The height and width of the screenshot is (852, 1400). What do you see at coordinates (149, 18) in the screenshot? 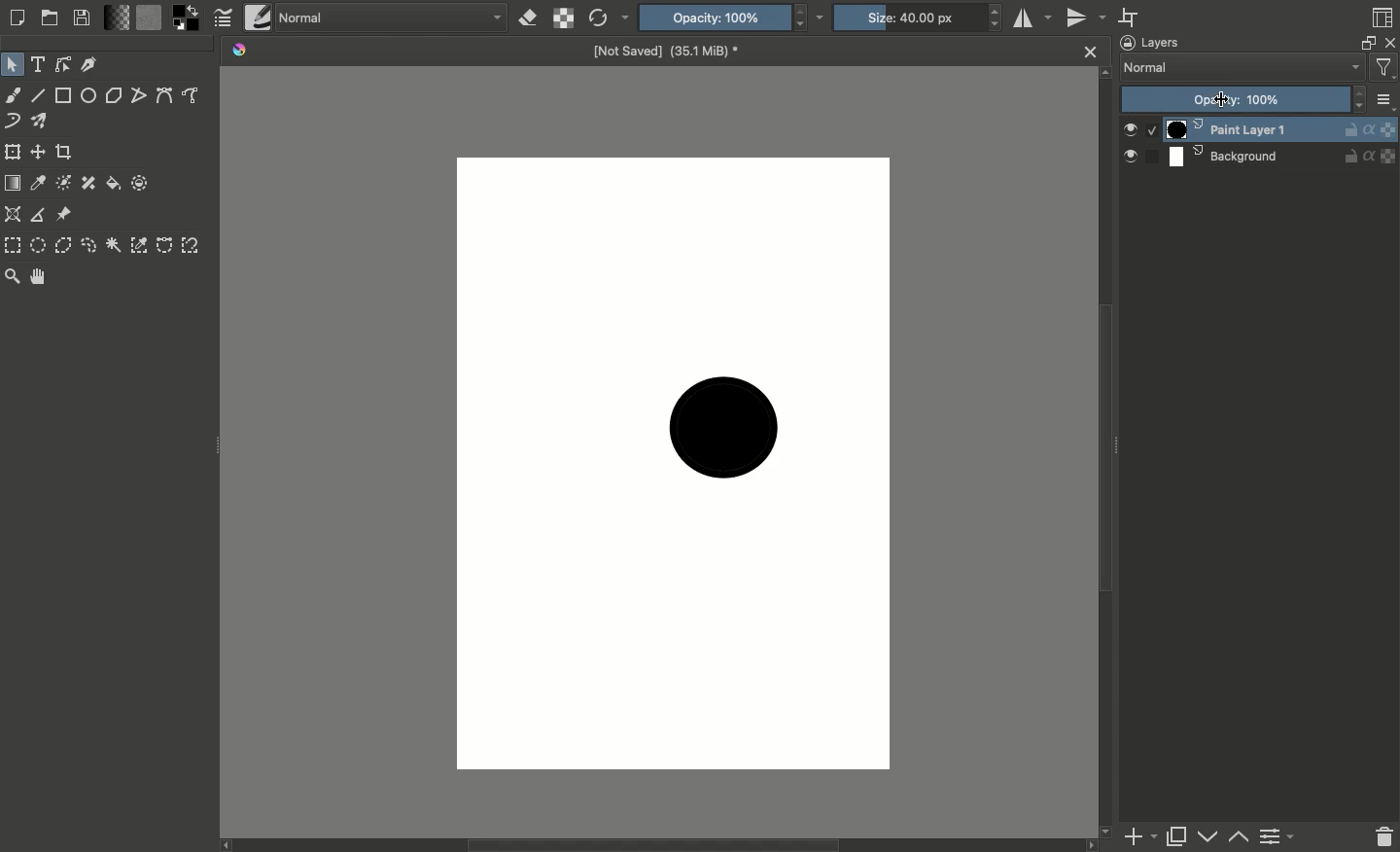
I see `Fill patterns` at bounding box center [149, 18].